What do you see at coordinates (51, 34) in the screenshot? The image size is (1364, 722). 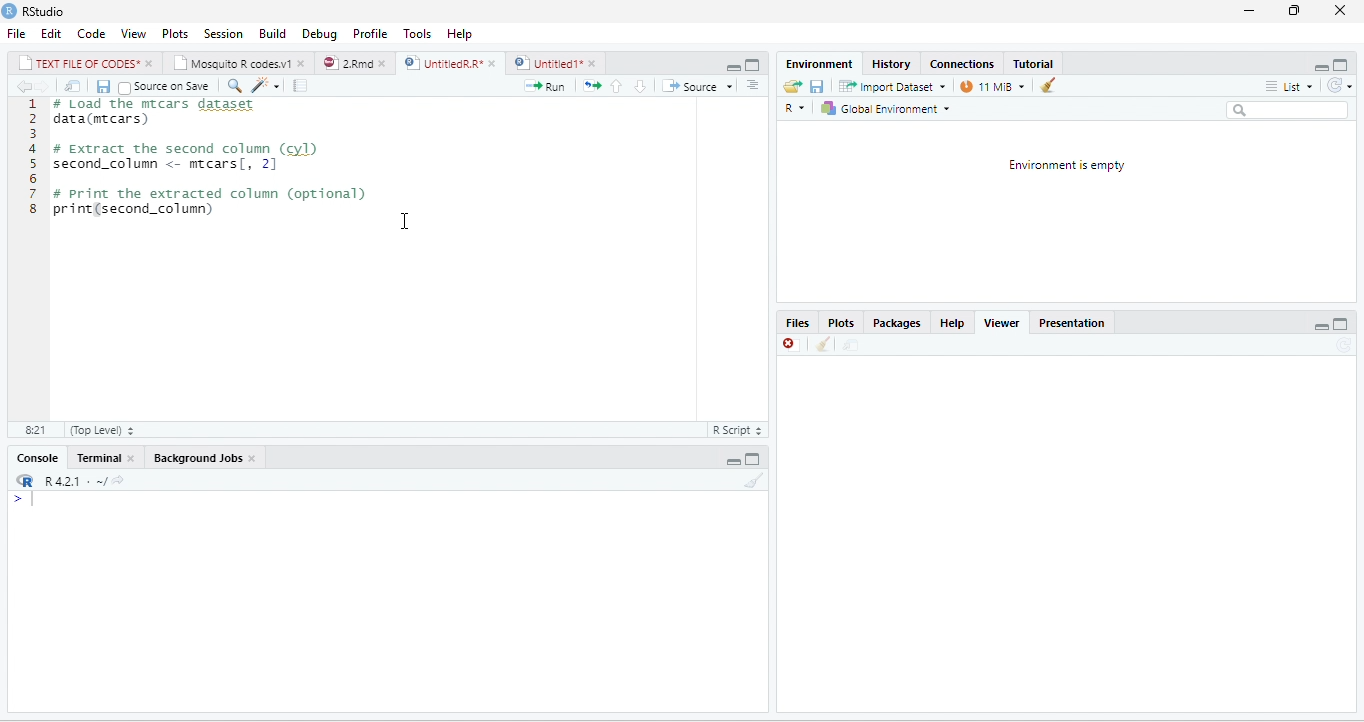 I see `Edit` at bounding box center [51, 34].